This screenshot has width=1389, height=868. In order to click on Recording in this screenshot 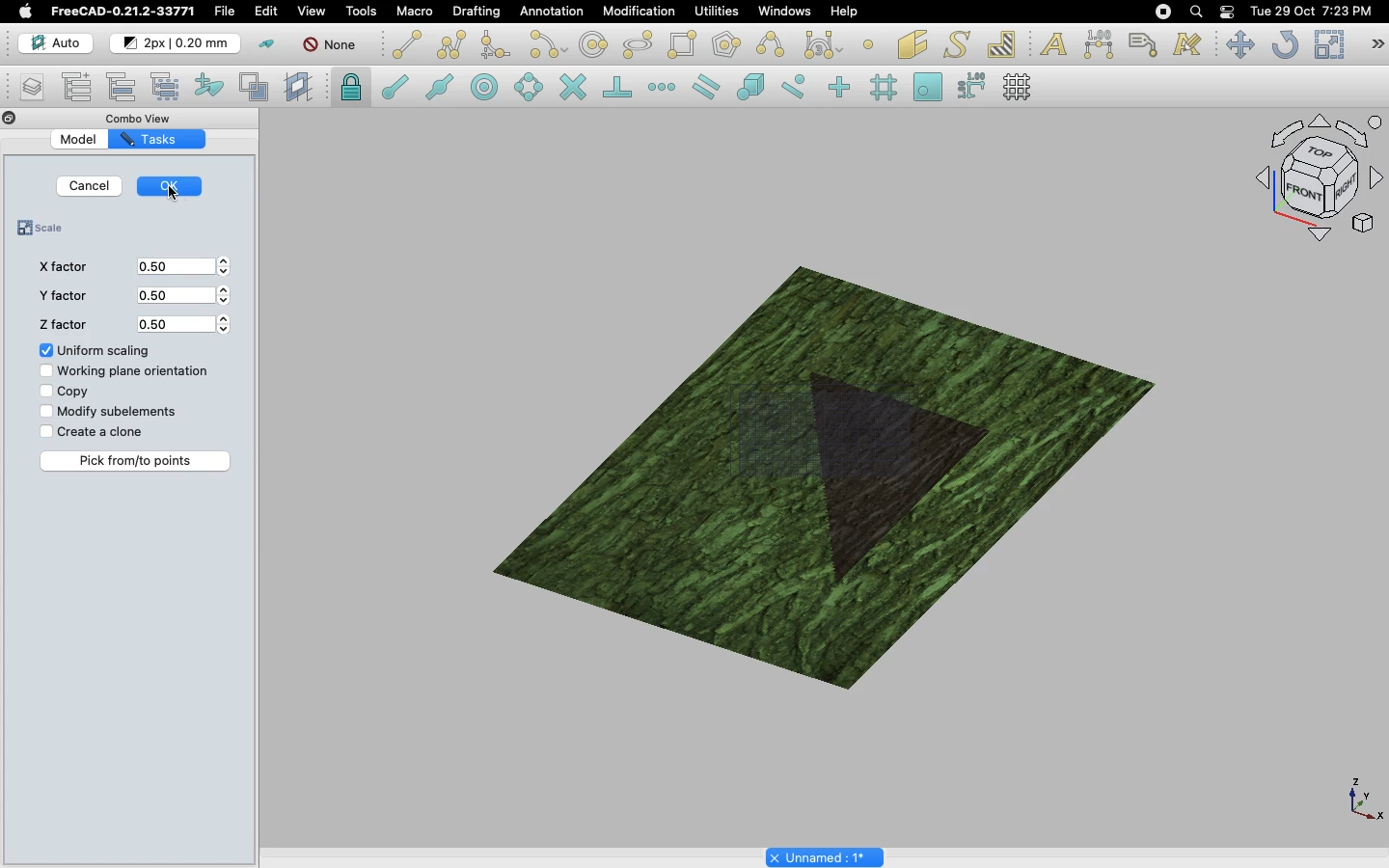, I will do `click(1162, 11)`.